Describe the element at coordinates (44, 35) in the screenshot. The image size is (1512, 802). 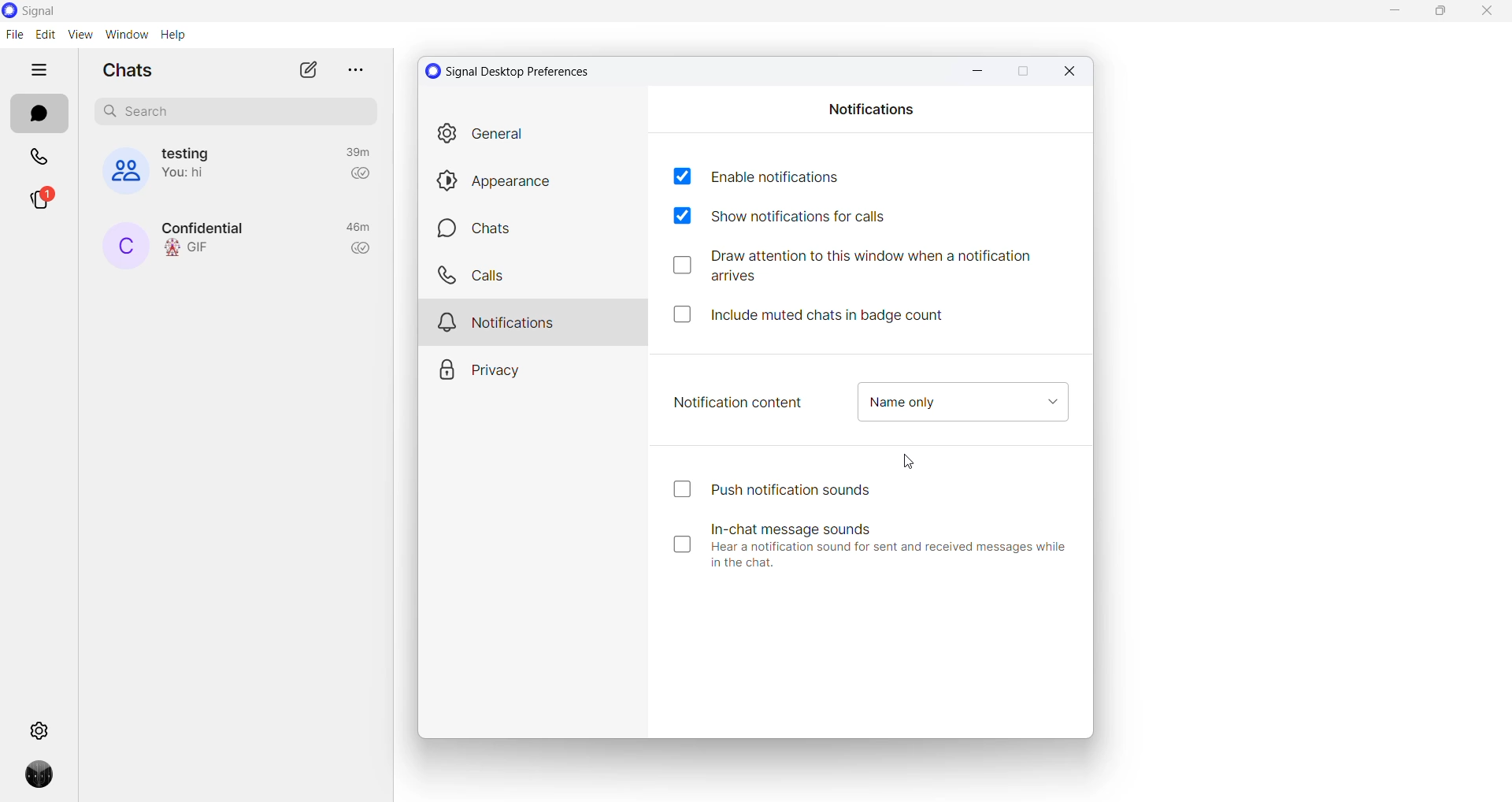
I see `edit` at that location.